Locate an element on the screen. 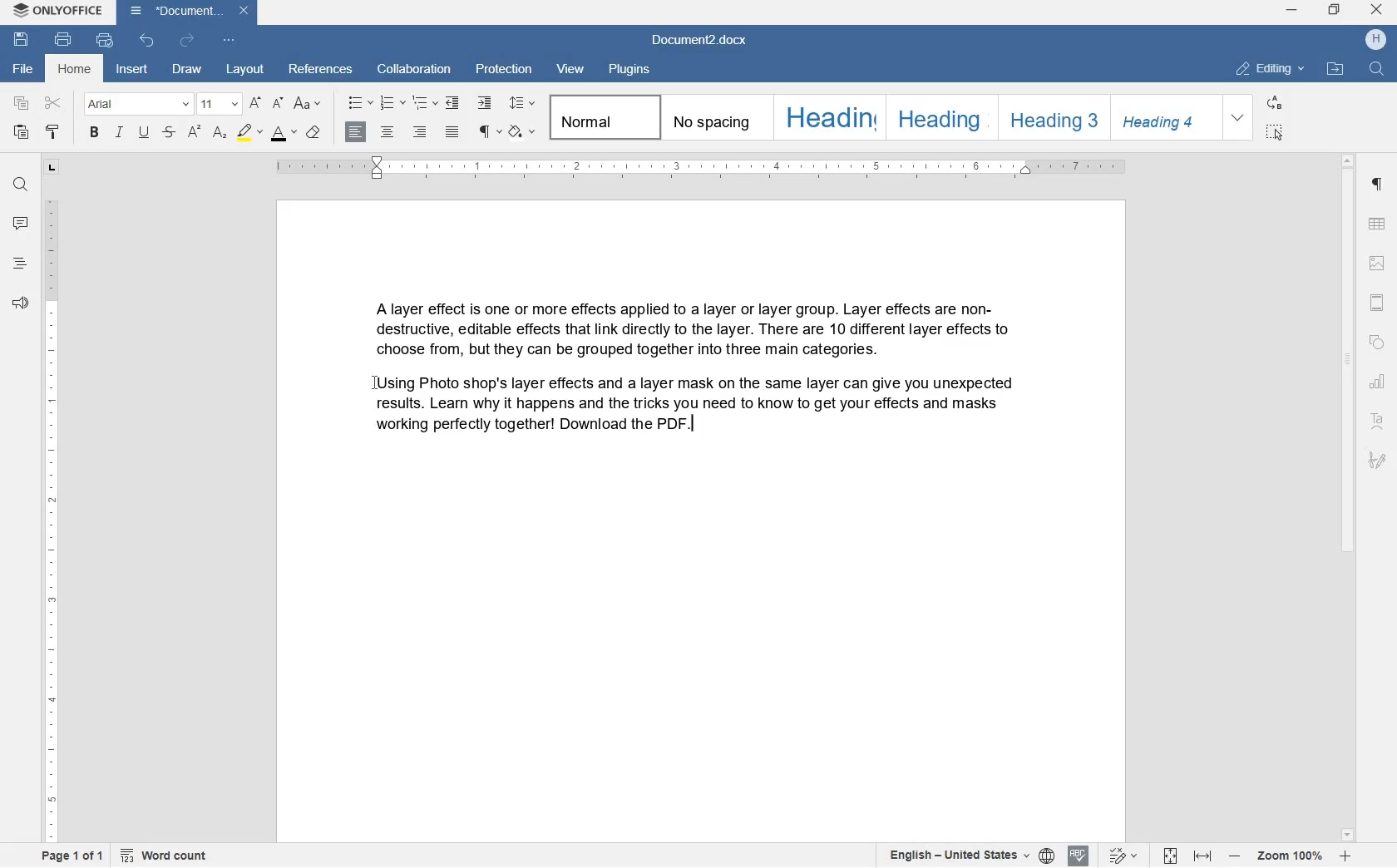  PARAGRAPH LINE SPACING is located at coordinates (523, 102).